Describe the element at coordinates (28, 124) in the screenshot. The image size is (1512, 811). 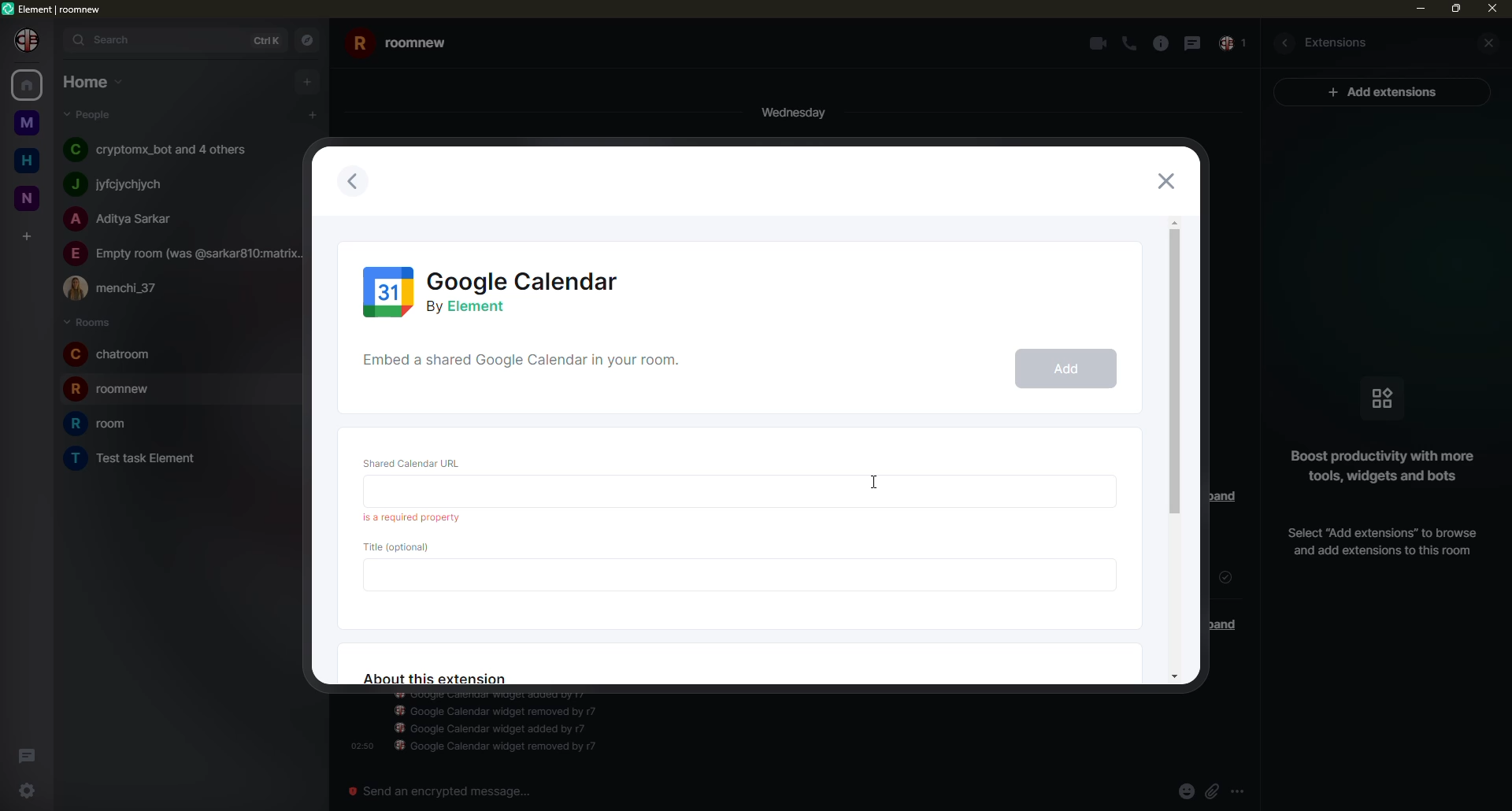
I see `room` at that location.